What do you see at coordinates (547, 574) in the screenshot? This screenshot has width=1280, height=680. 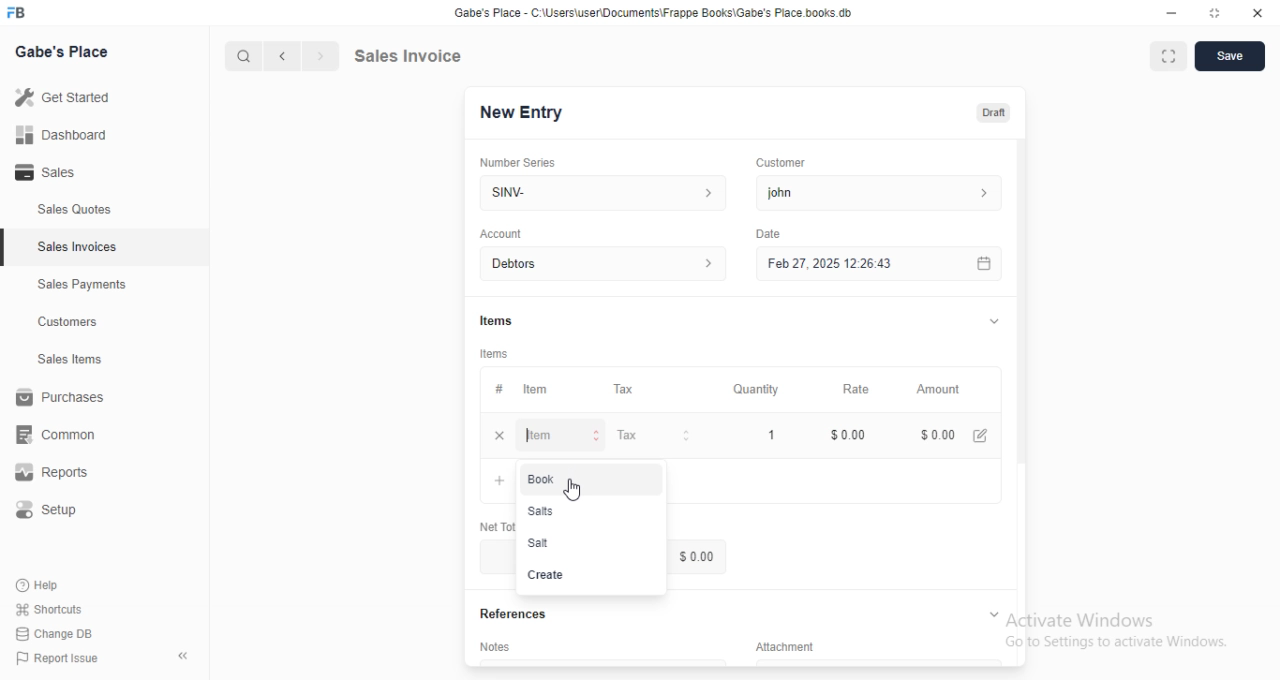 I see `Create` at bounding box center [547, 574].